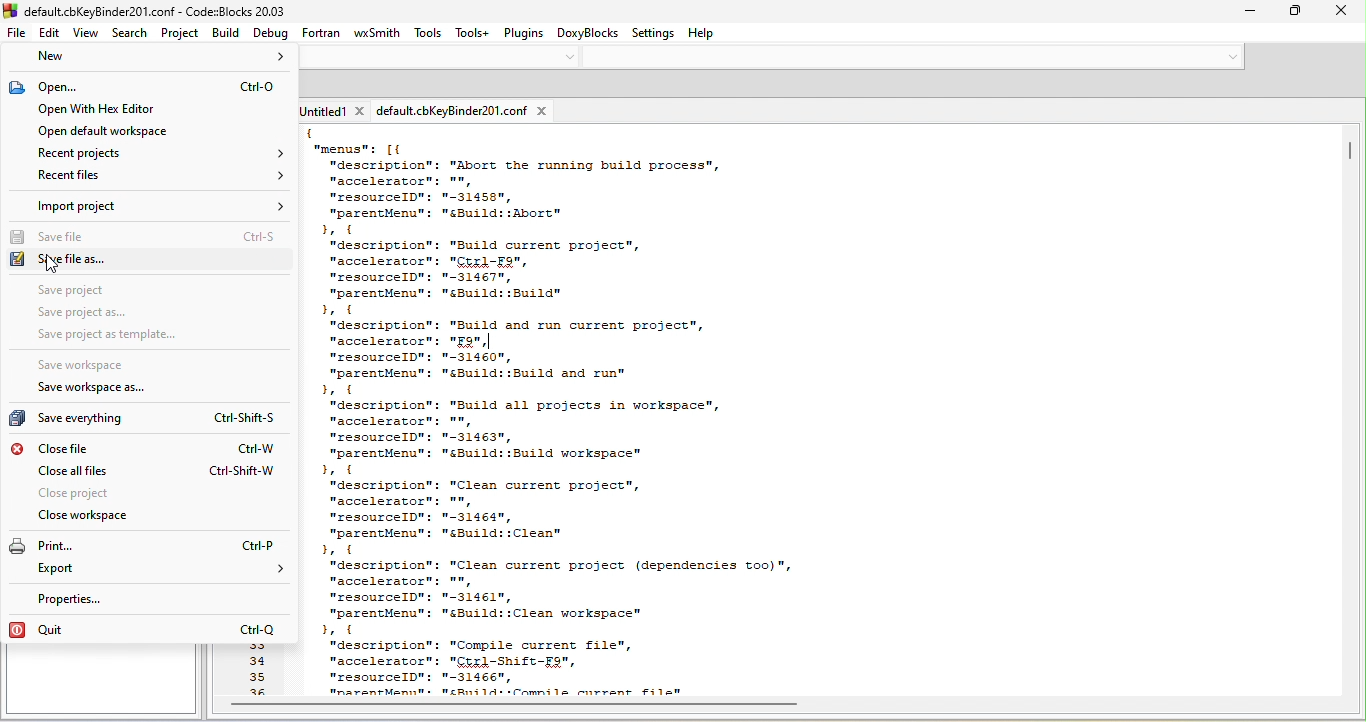 The image size is (1366, 722). Describe the element at coordinates (1247, 13) in the screenshot. I see `minimize` at that location.